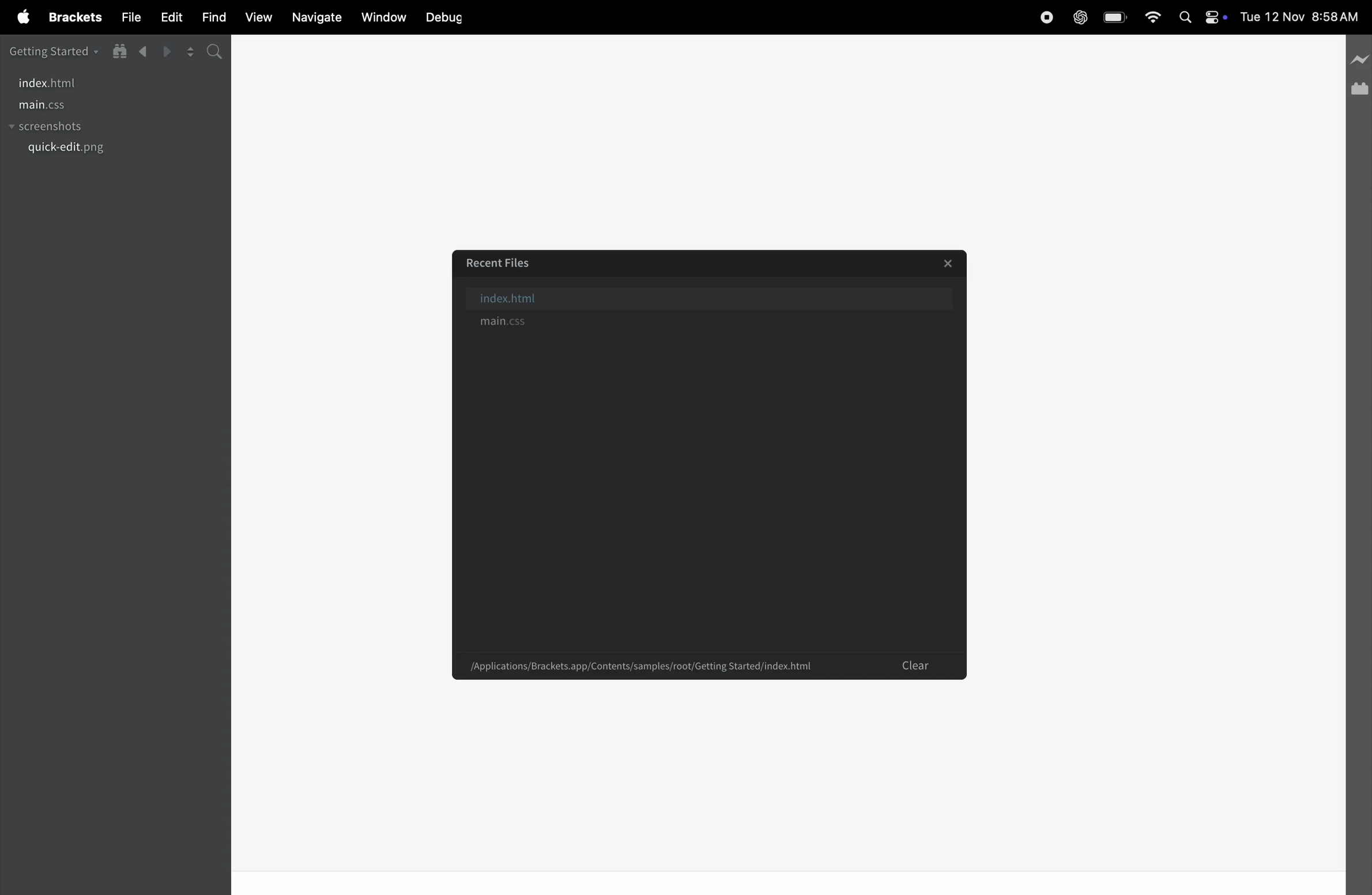 The width and height of the screenshot is (1372, 895). Describe the element at coordinates (1203, 16) in the screenshot. I see `apple widgets` at that location.